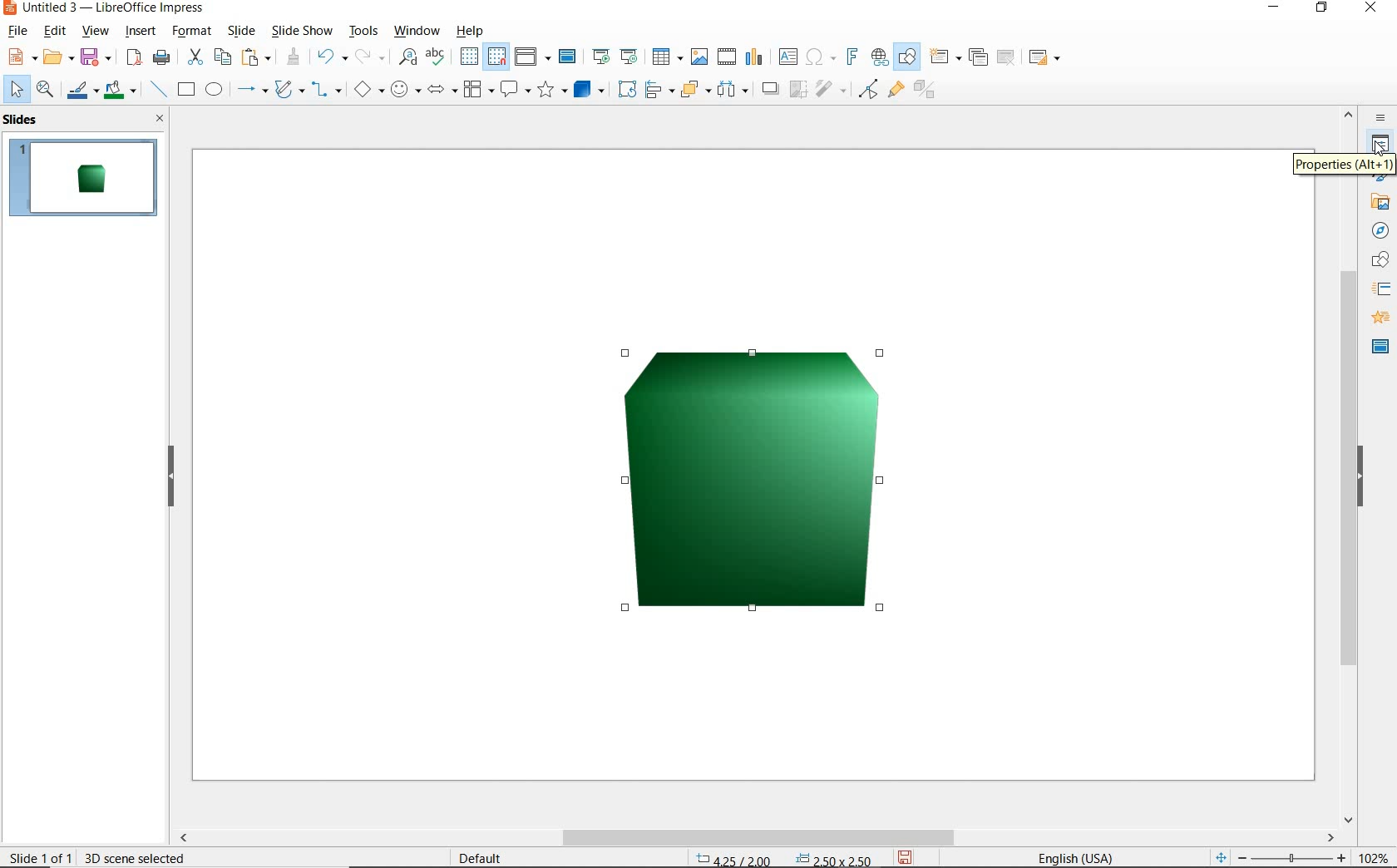  What do you see at coordinates (926, 91) in the screenshot?
I see `TOGGLE EXTRUSION` at bounding box center [926, 91].